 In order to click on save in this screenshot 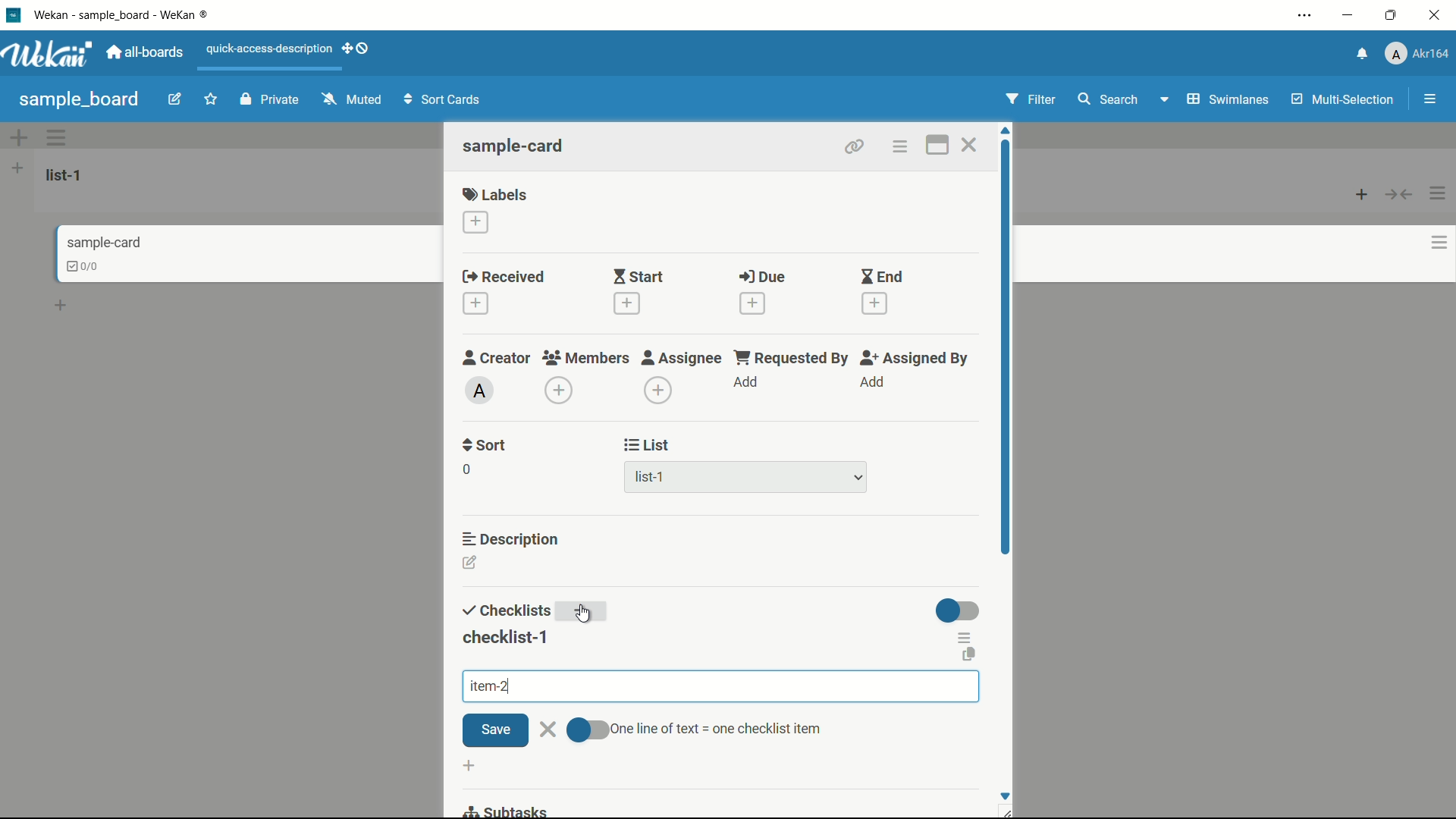, I will do `click(495, 731)`.